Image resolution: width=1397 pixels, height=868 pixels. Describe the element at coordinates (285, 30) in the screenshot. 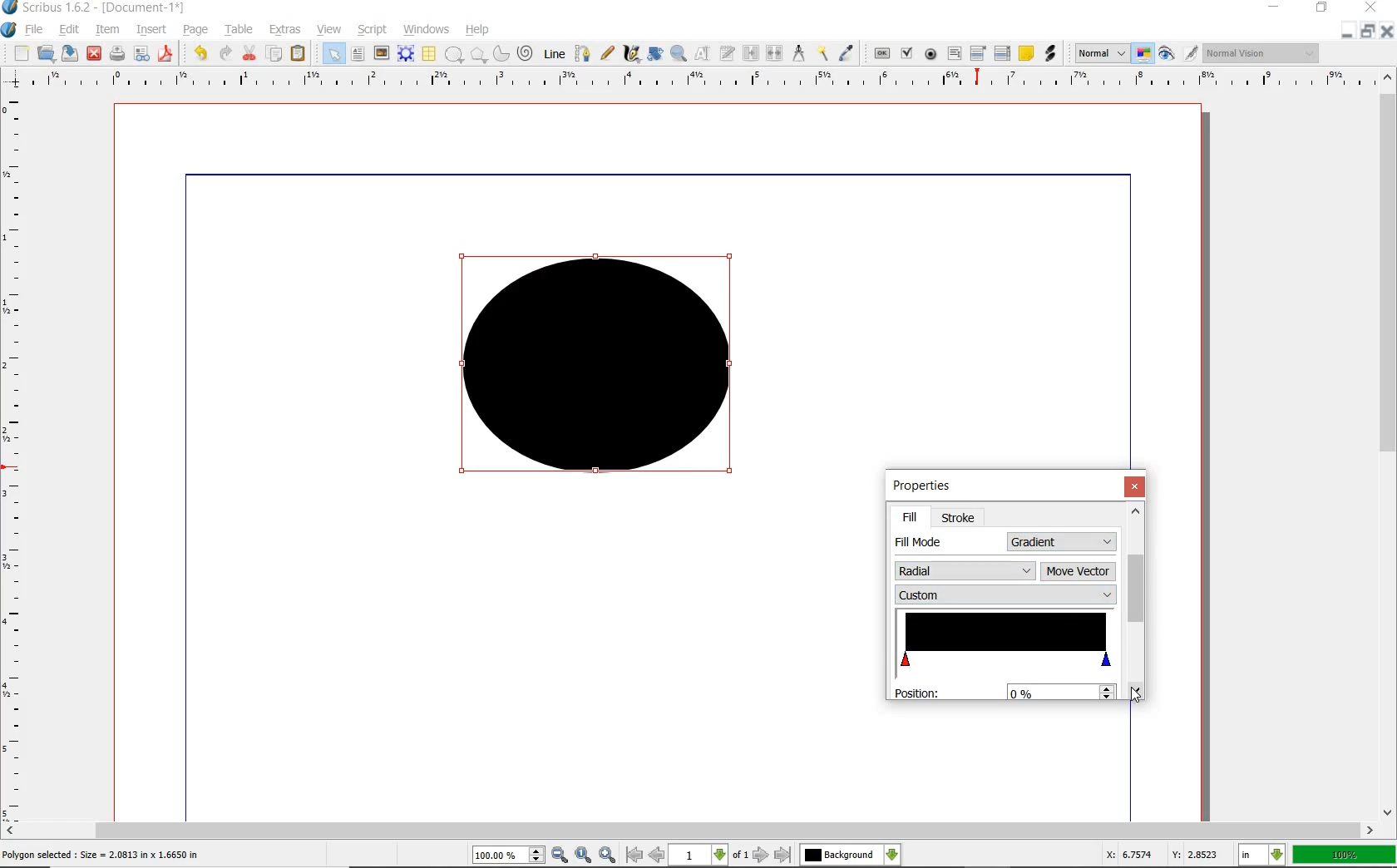

I see `EXTRAS` at that location.